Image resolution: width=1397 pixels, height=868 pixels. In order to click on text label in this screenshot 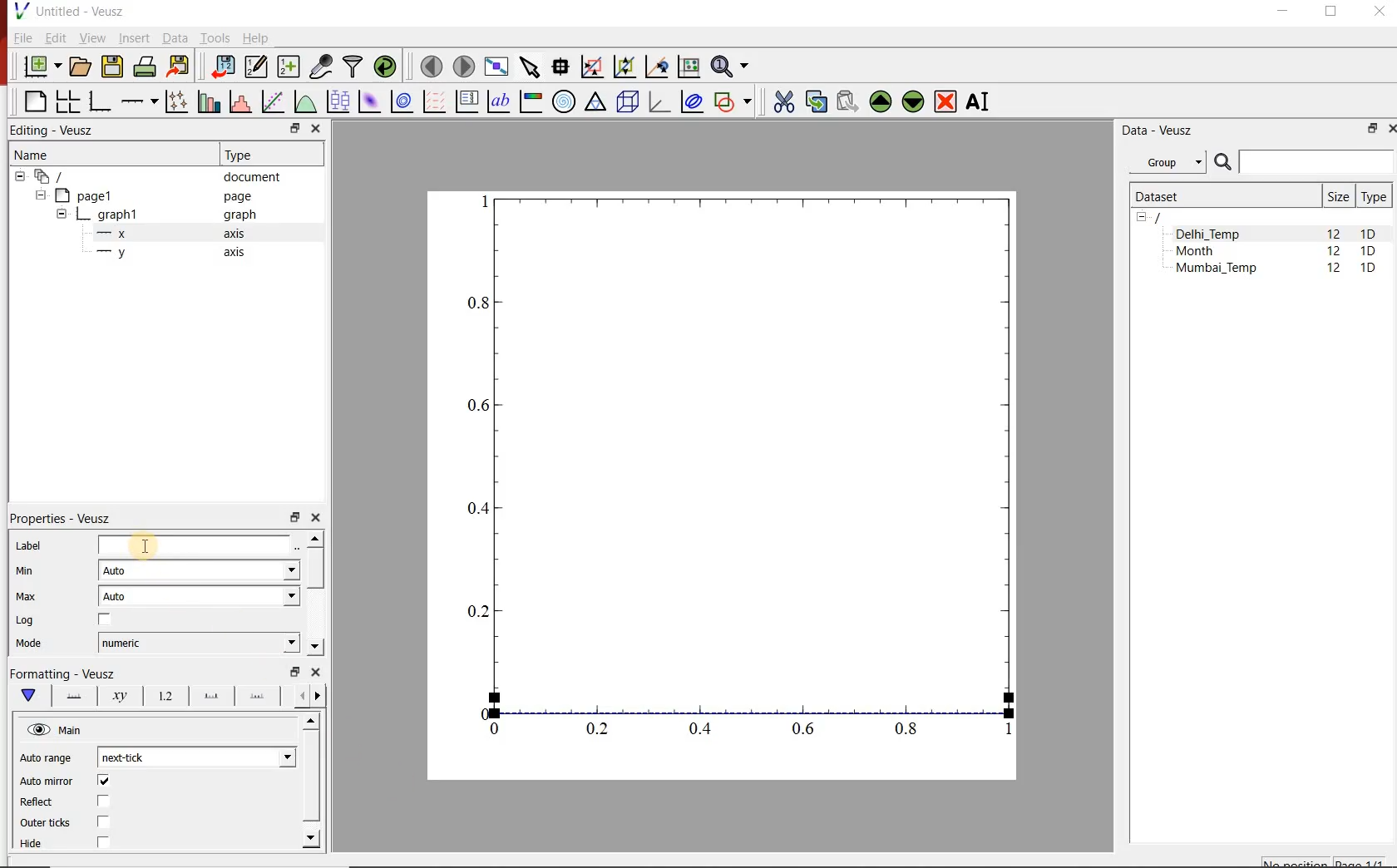, I will do `click(498, 101)`.